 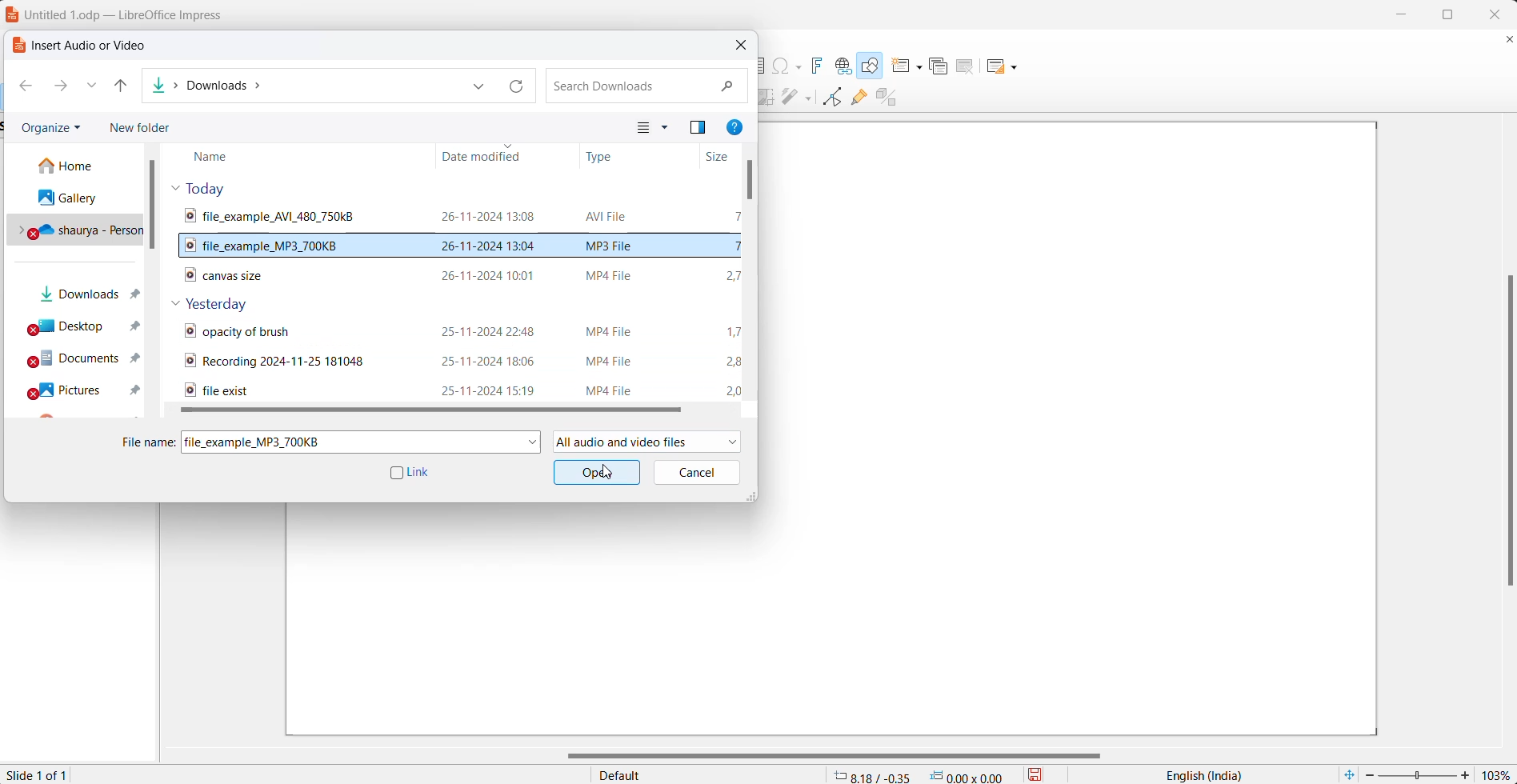 I want to click on current slide number, so click(x=45, y=774).